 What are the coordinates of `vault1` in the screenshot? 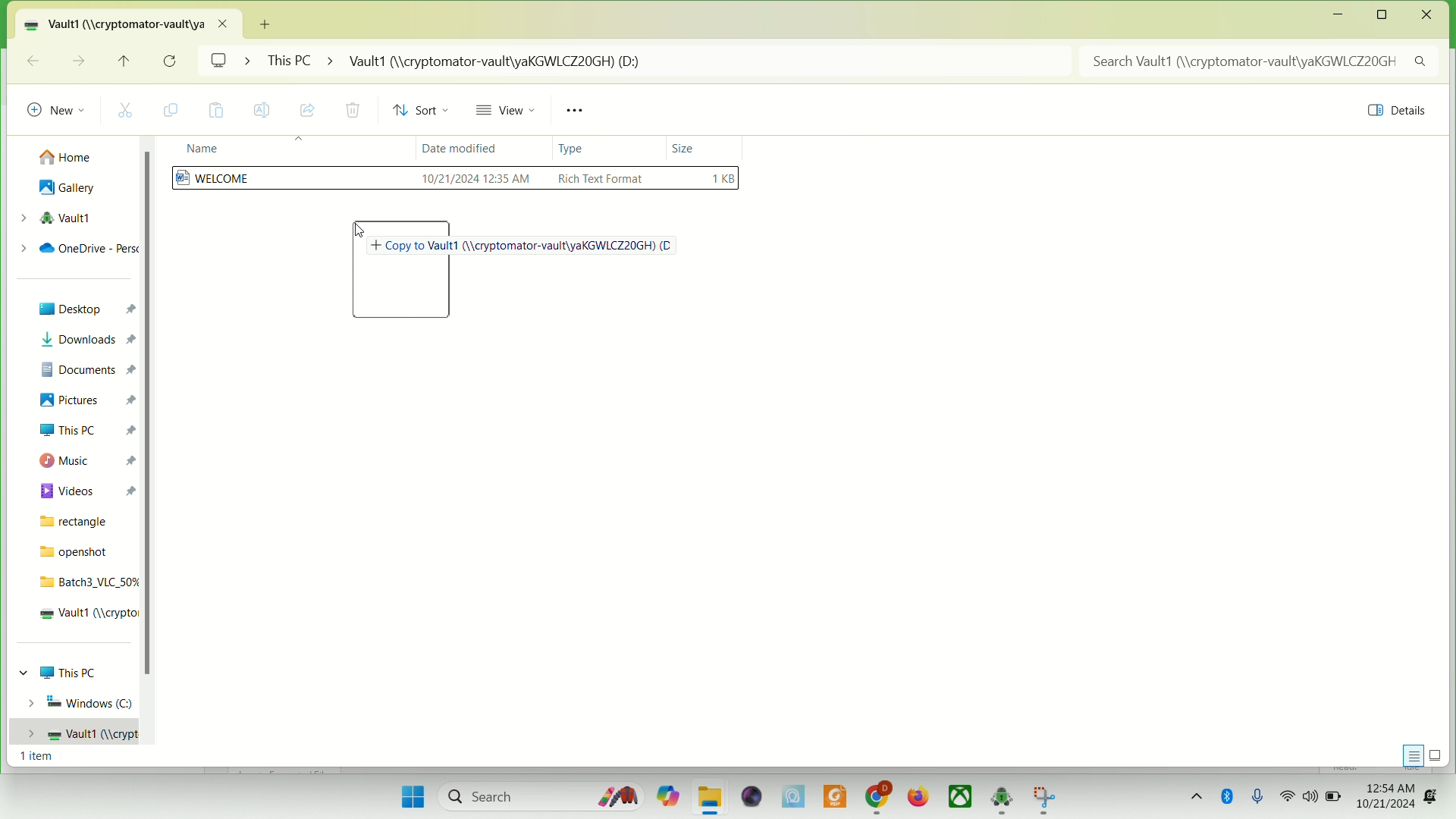 It's located at (54, 218).